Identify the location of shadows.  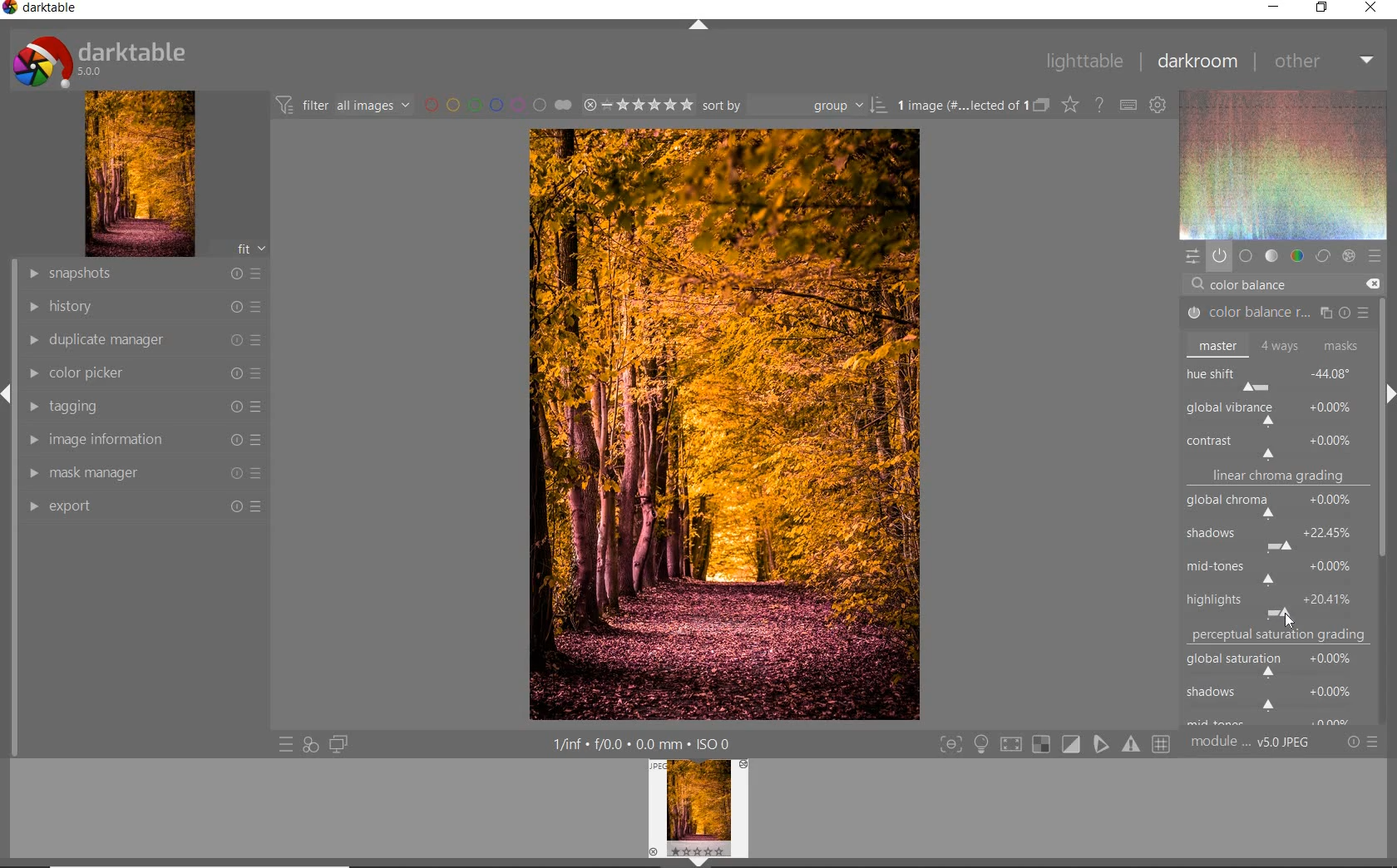
(1278, 535).